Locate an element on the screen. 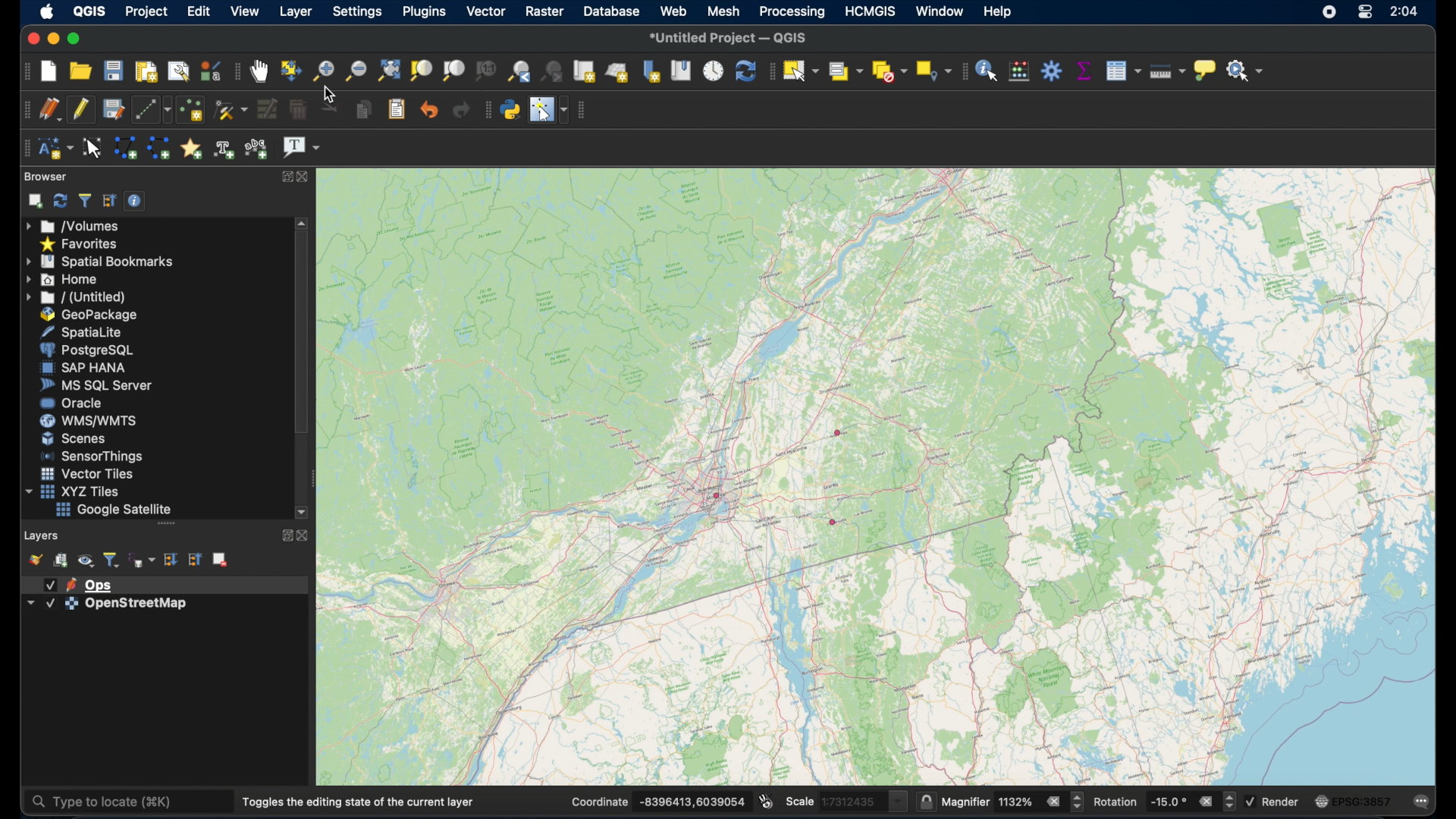  geopackage is located at coordinates (84, 315).